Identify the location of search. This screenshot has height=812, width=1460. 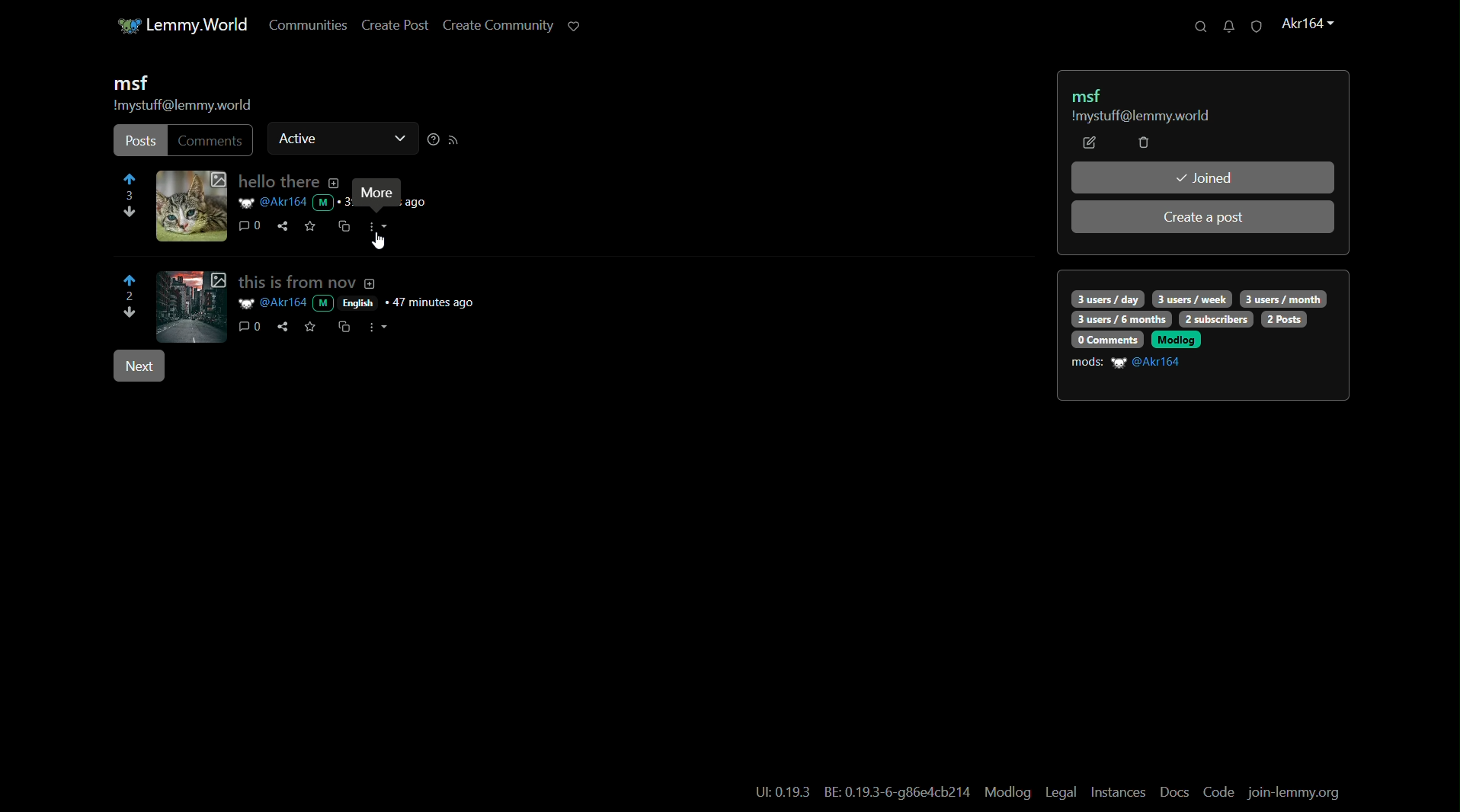
(1194, 27).